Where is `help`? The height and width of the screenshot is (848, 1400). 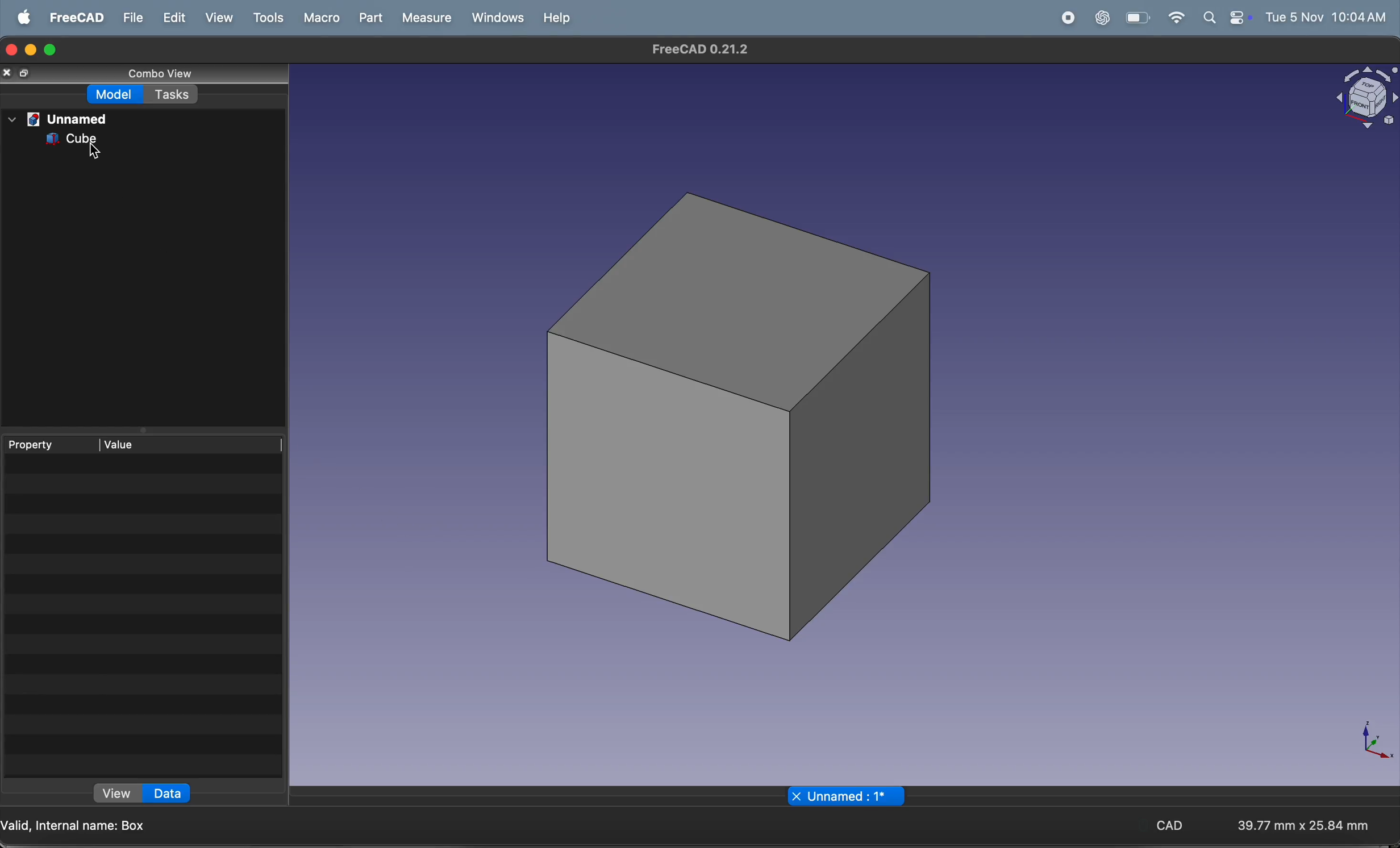 help is located at coordinates (559, 18).